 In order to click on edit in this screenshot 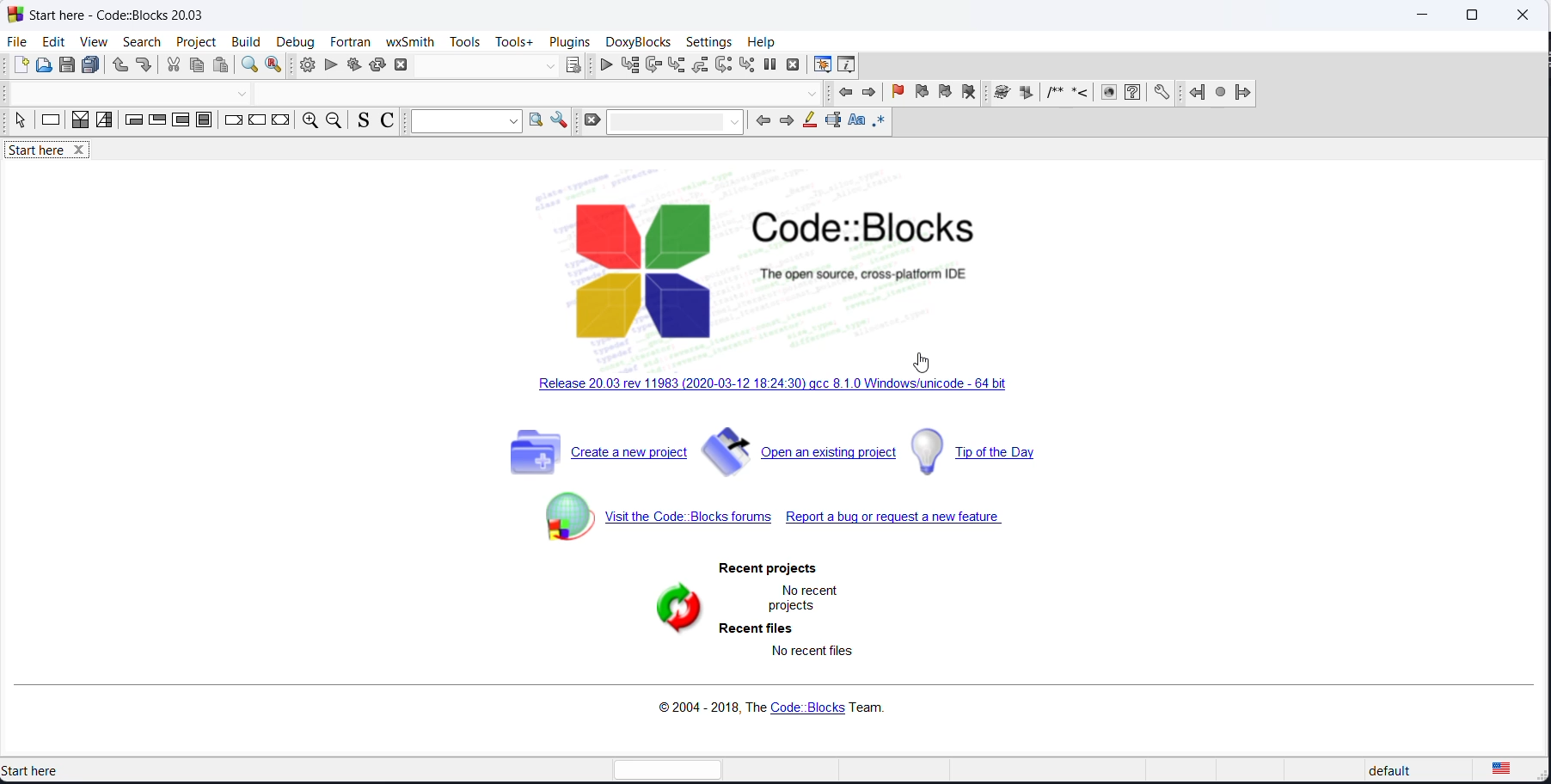, I will do `click(50, 42)`.